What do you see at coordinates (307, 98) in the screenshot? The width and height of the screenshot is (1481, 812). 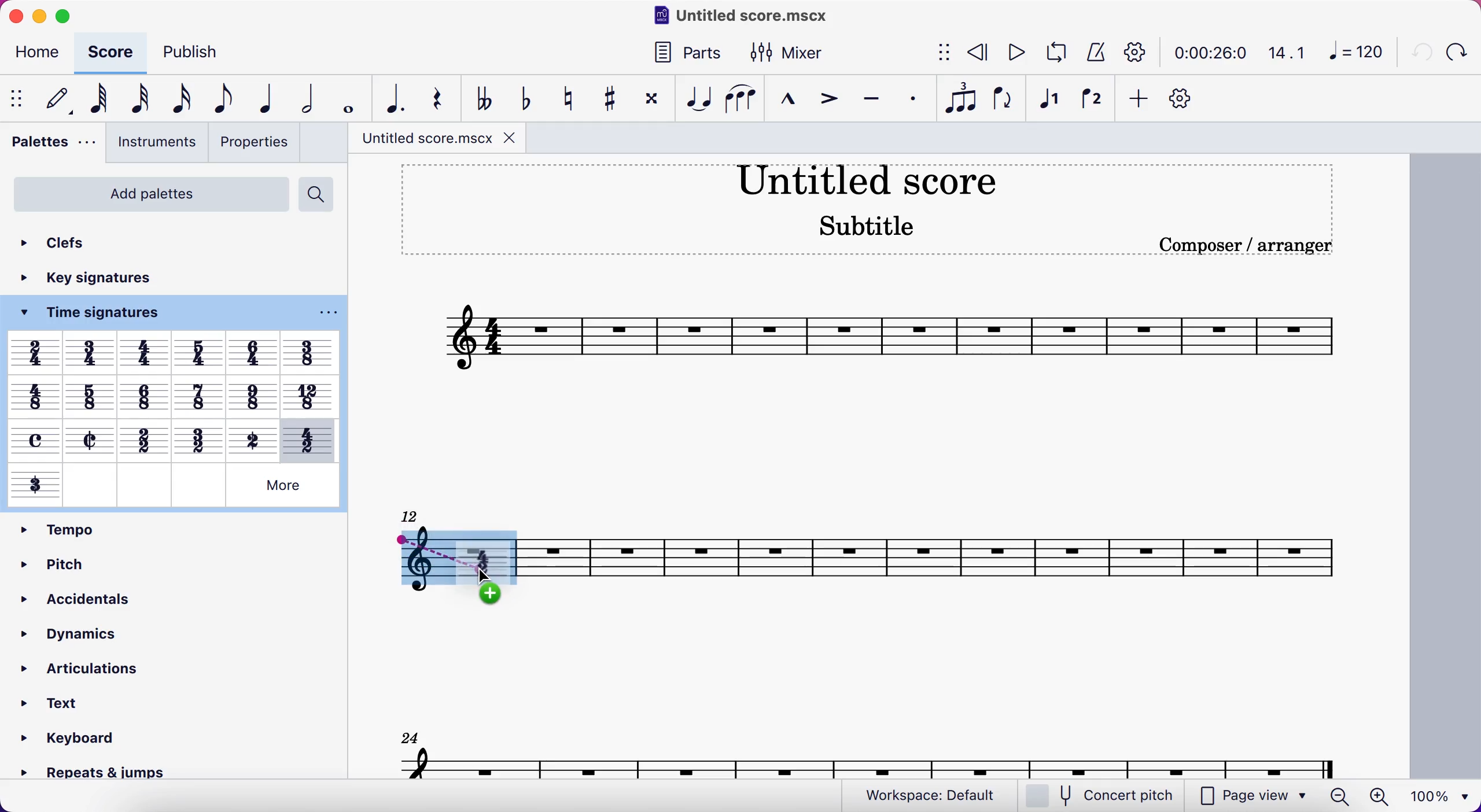 I see `half note` at bounding box center [307, 98].